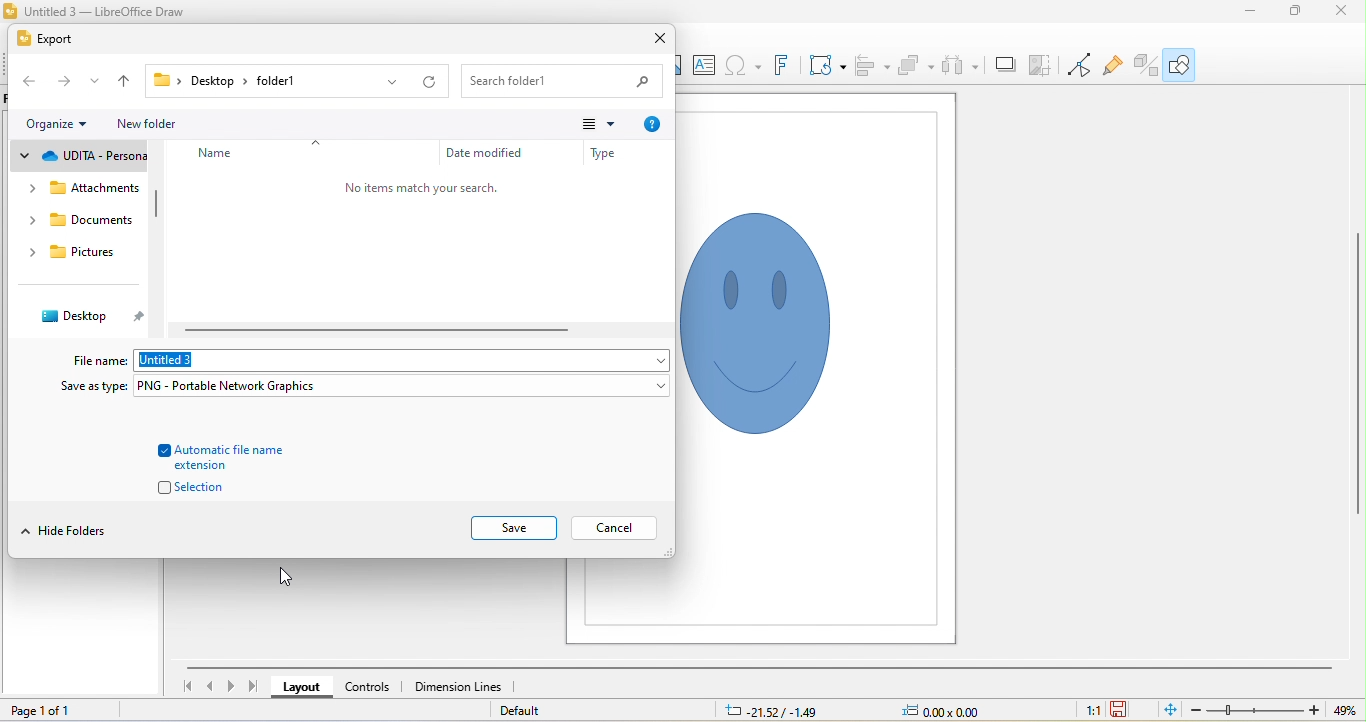 The image size is (1366, 722). Describe the element at coordinates (484, 153) in the screenshot. I see `date modified` at that location.